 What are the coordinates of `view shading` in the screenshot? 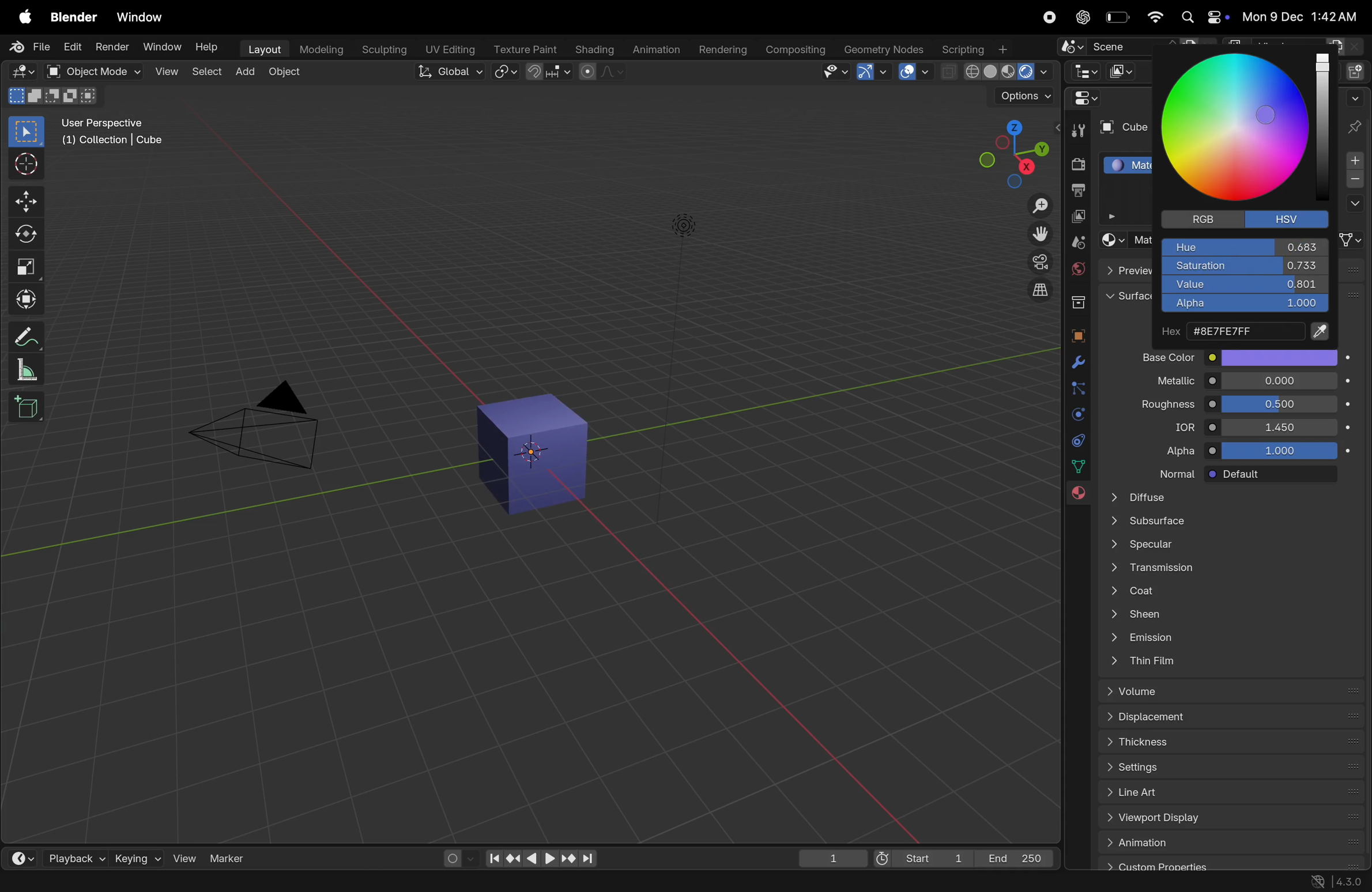 It's located at (997, 73).